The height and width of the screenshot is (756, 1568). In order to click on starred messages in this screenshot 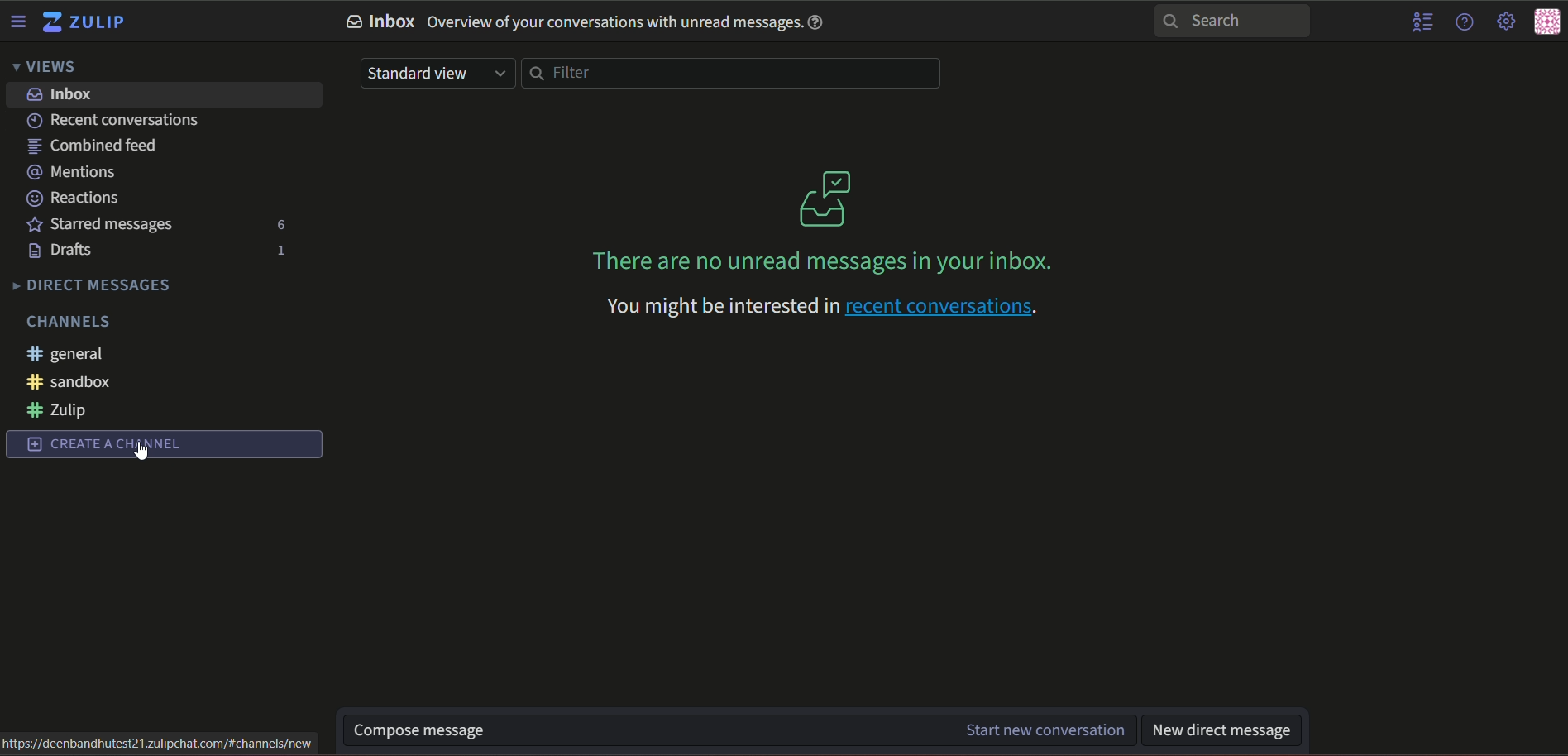, I will do `click(100, 225)`.